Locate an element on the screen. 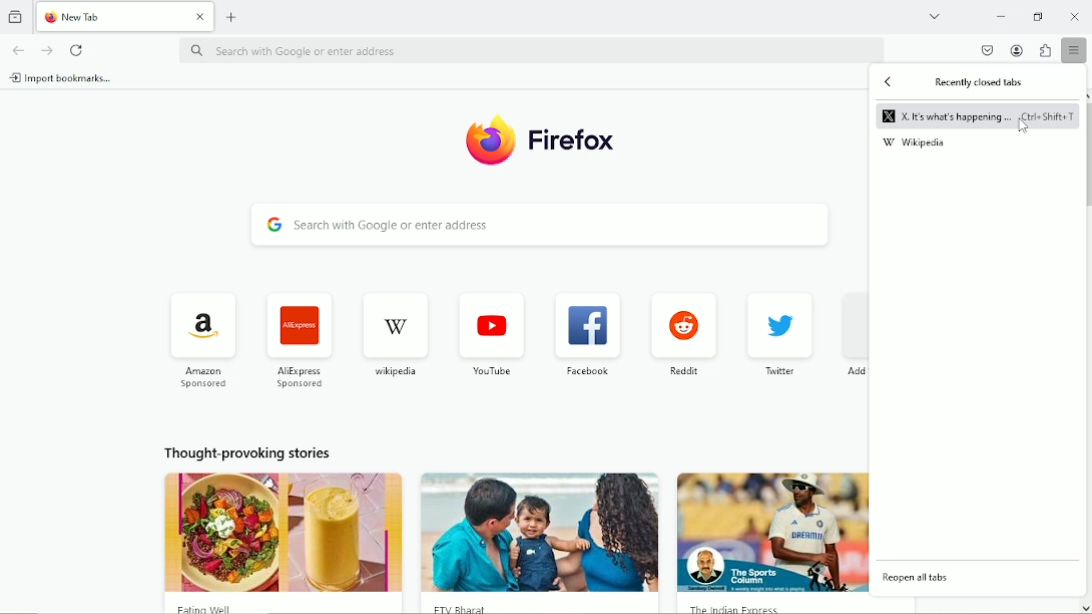 The width and height of the screenshot is (1092, 614). go forward is located at coordinates (46, 50).